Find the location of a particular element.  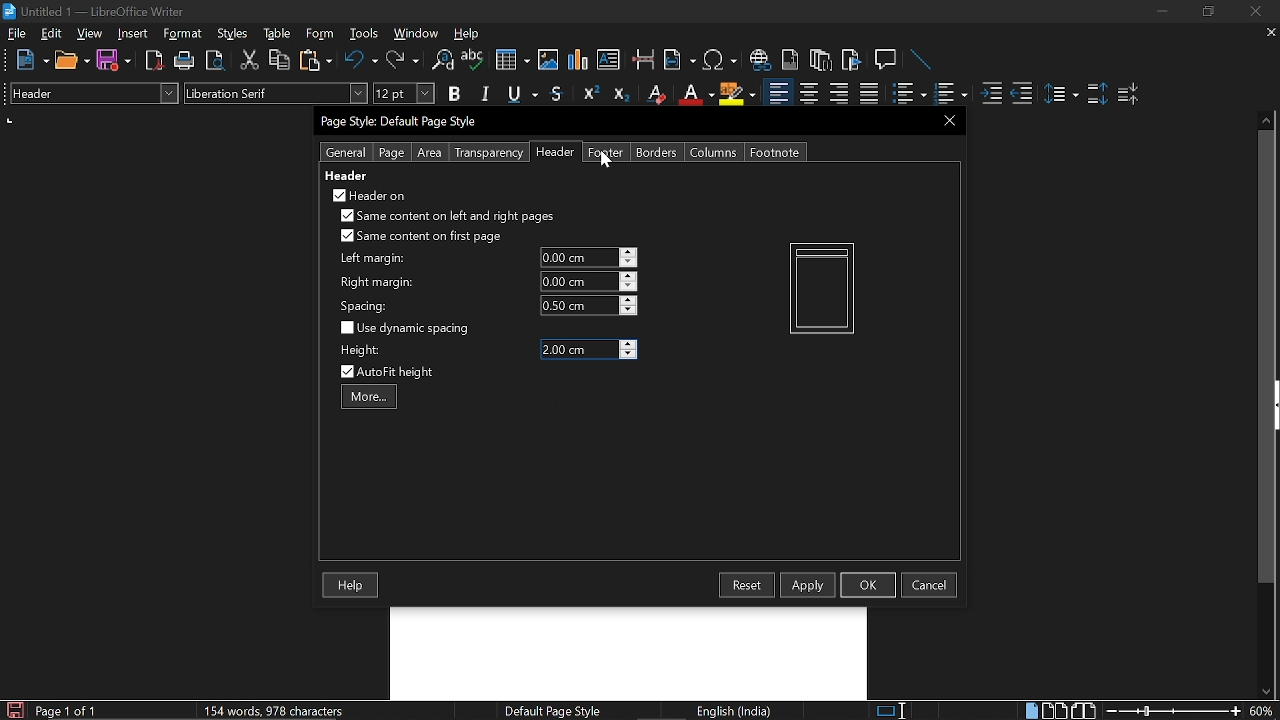

Auto fit height is located at coordinates (400, 372).